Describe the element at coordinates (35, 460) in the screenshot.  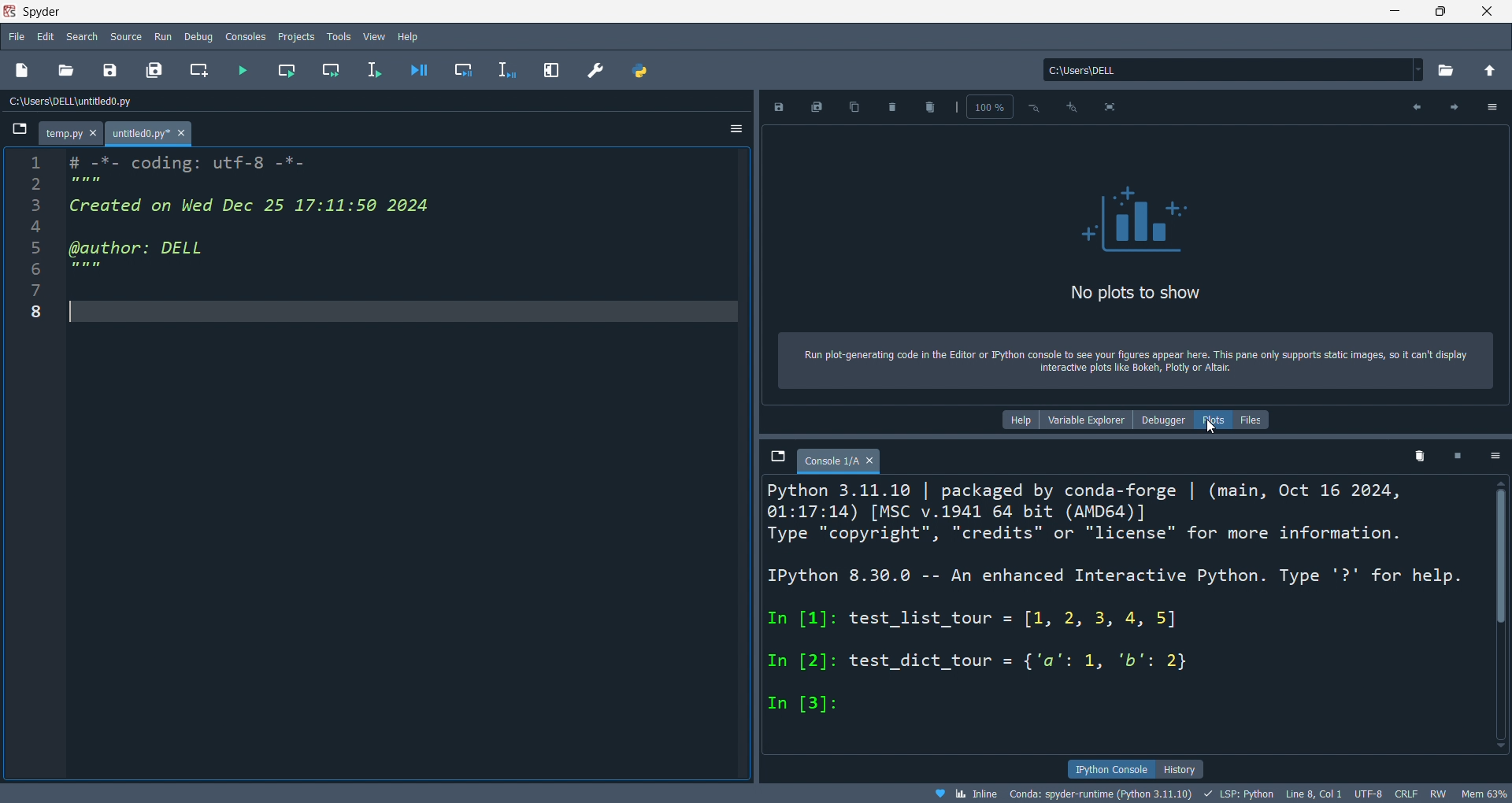
I see `line number` at that location.